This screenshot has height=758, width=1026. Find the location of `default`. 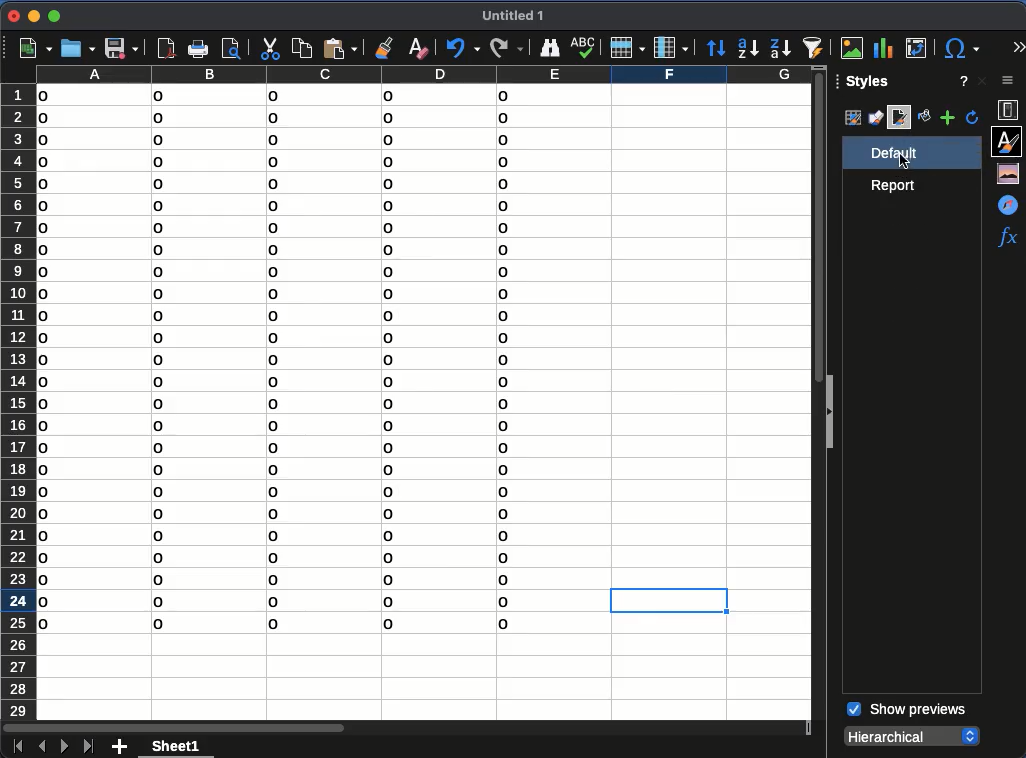

default is located at coordinates (909, 151).